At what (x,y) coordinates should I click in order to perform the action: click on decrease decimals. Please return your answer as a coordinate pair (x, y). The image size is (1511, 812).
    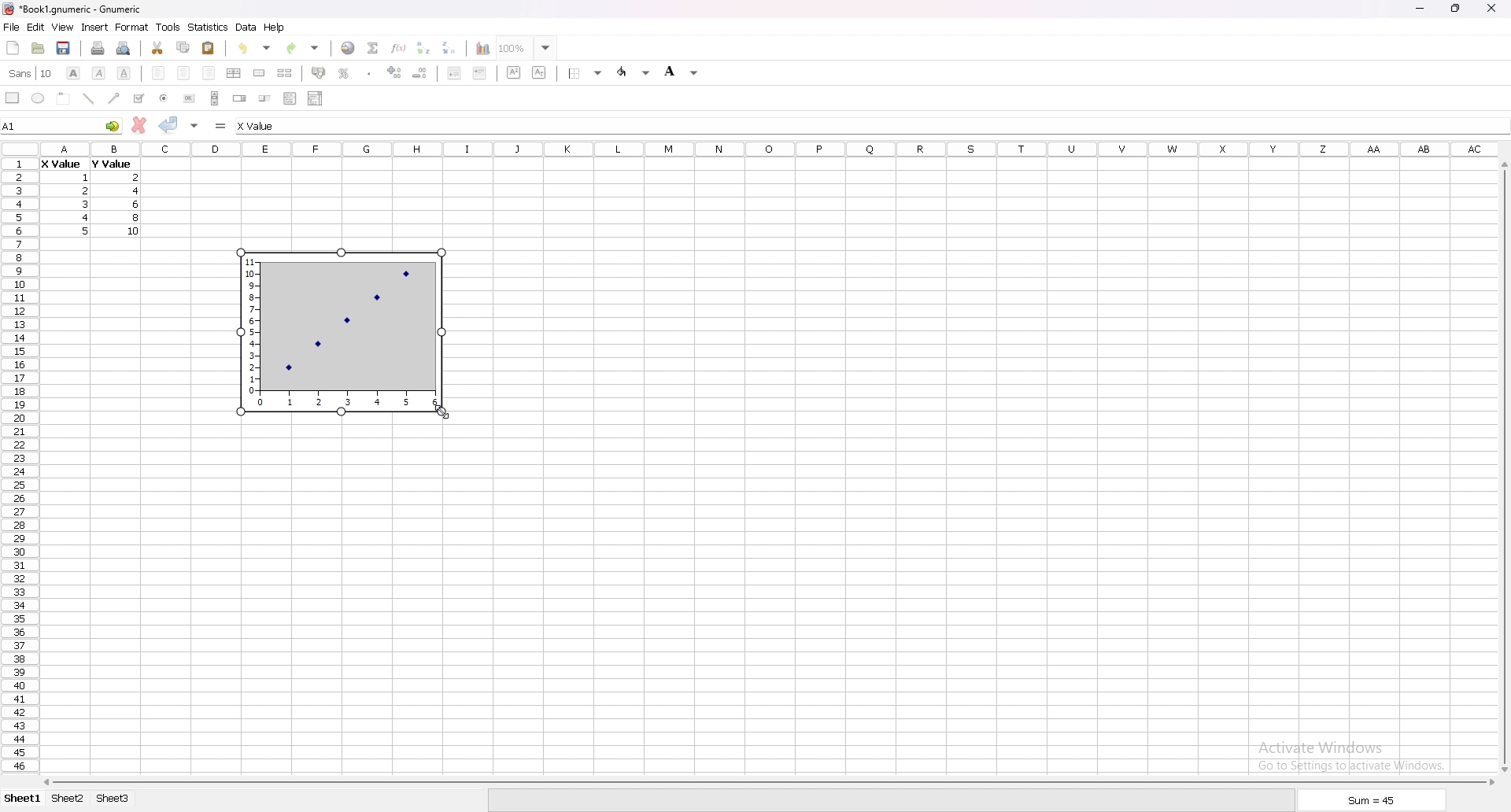
    Looking at the image, I should click on (420, 73).